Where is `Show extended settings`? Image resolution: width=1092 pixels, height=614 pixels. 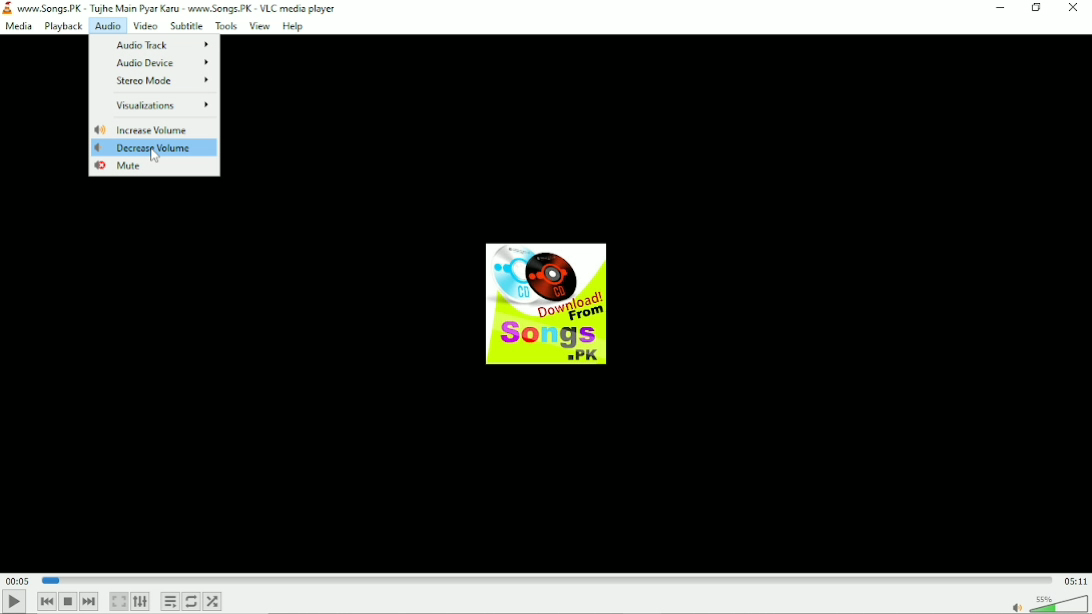
Show extended settings is located at coordinates (142, 602).